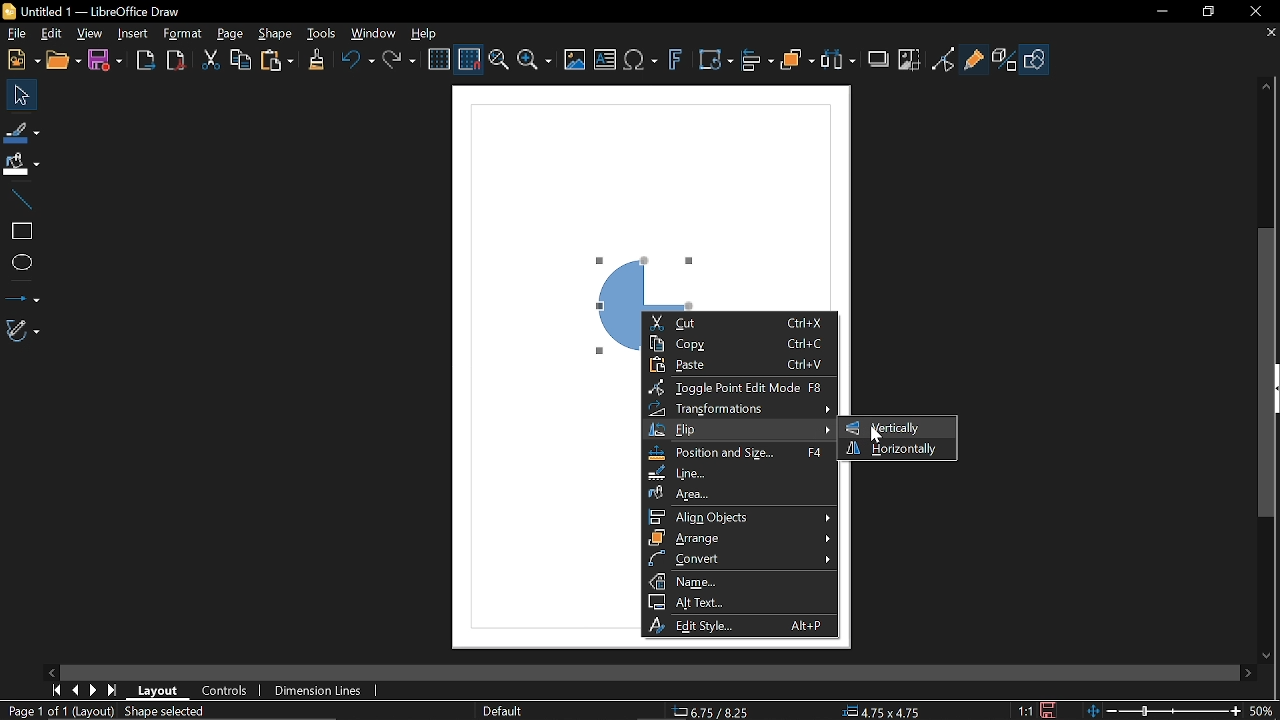 The height and width of the screenshot is (720, 1280). I want to click on Next page, so click(94, 691).